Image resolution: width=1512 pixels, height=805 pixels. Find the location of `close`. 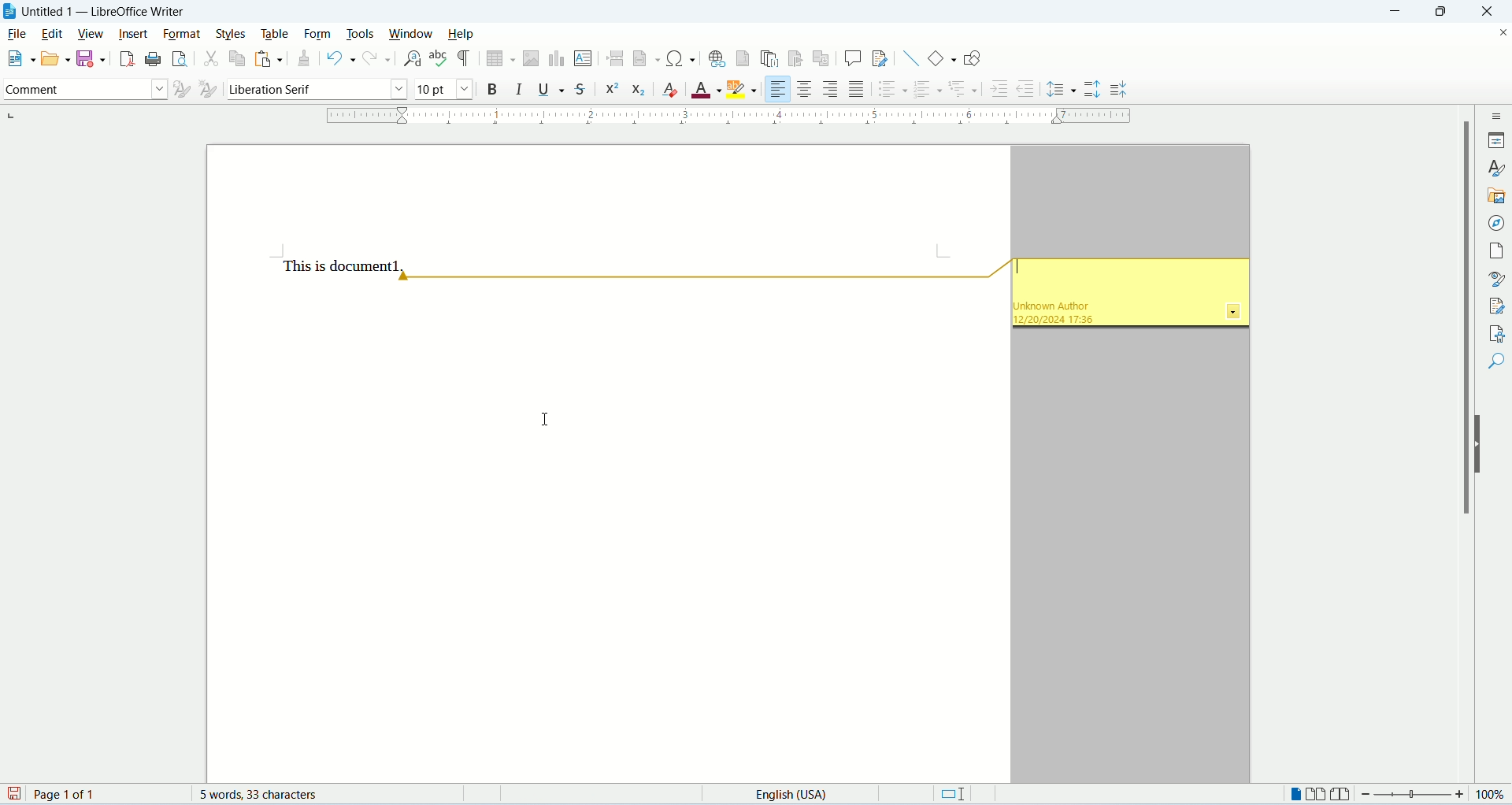

close is located at coordinates (1492, 11).